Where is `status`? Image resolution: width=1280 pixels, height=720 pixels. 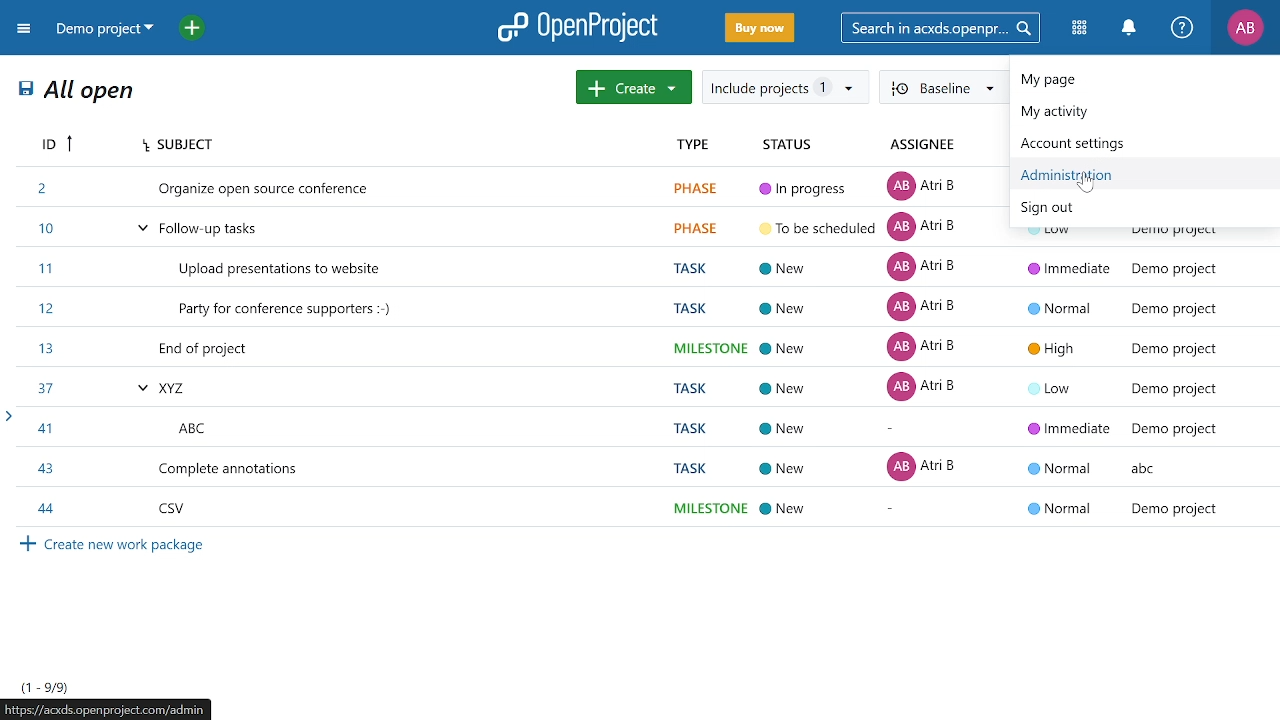
status is located at coordinates (788, 144).